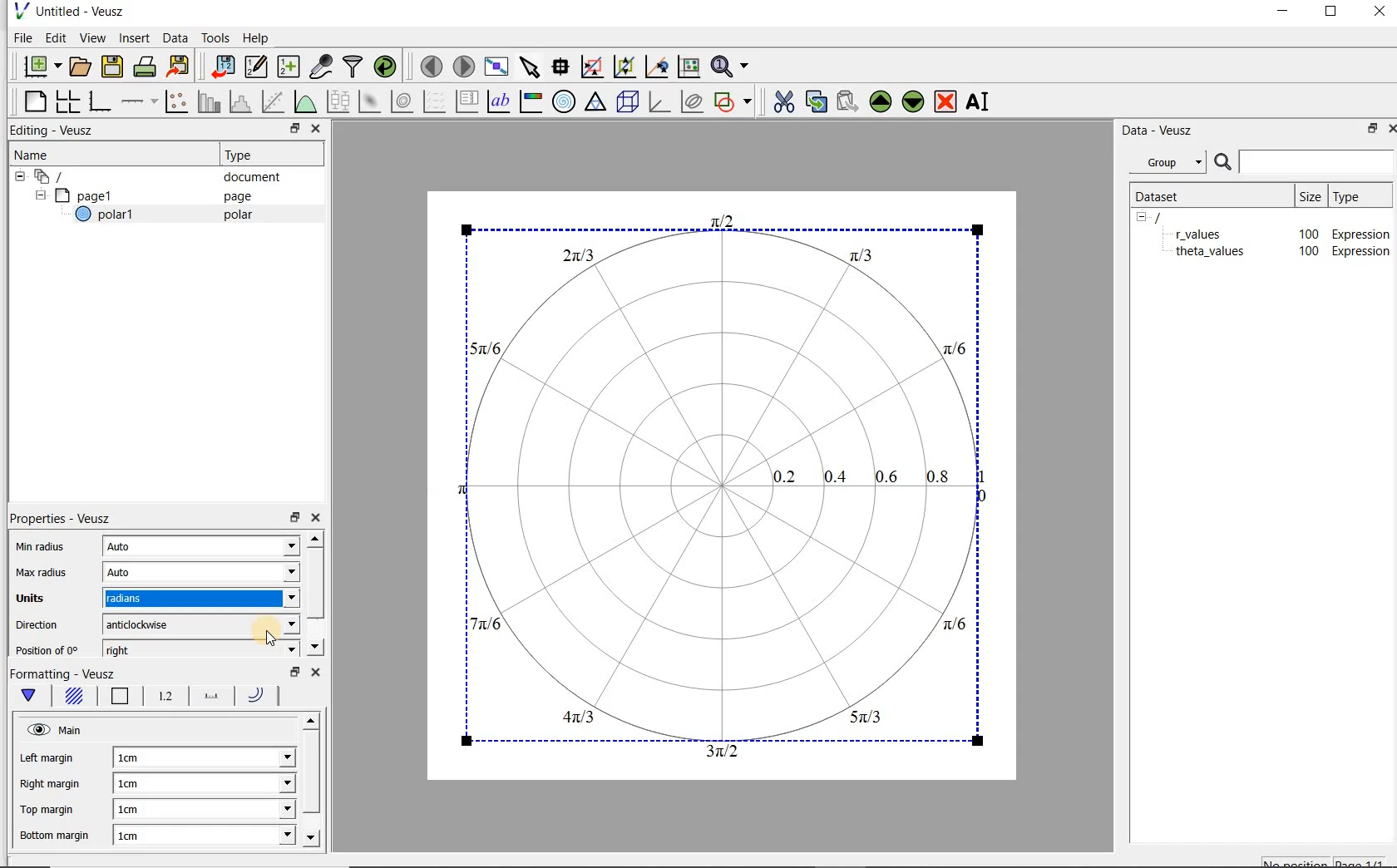  Describe the element at coordinates (314, 131) in the screenshot. I see `Close` at that location.